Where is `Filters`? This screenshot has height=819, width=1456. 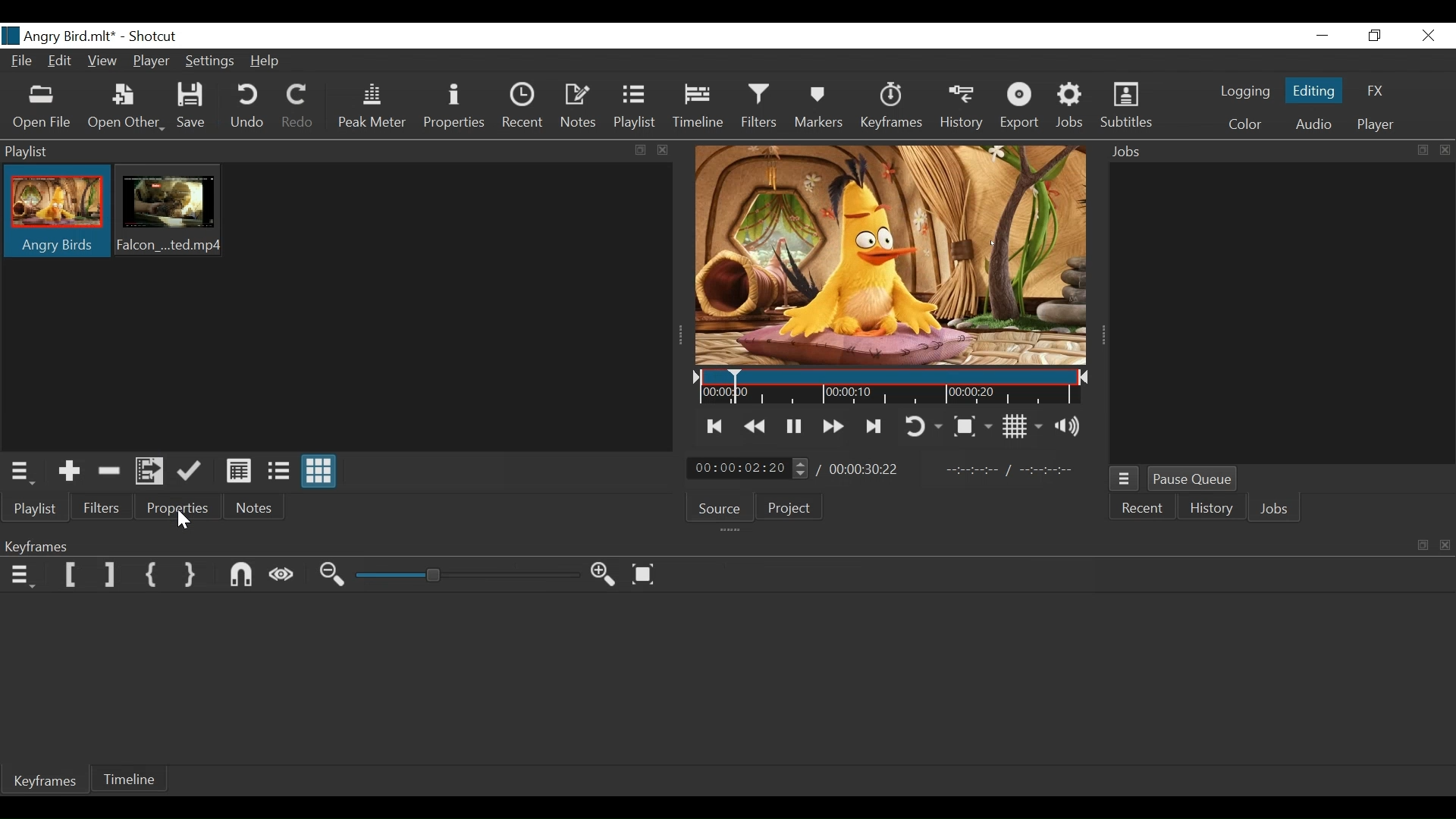
Filters is located at coordinates (99, 507).